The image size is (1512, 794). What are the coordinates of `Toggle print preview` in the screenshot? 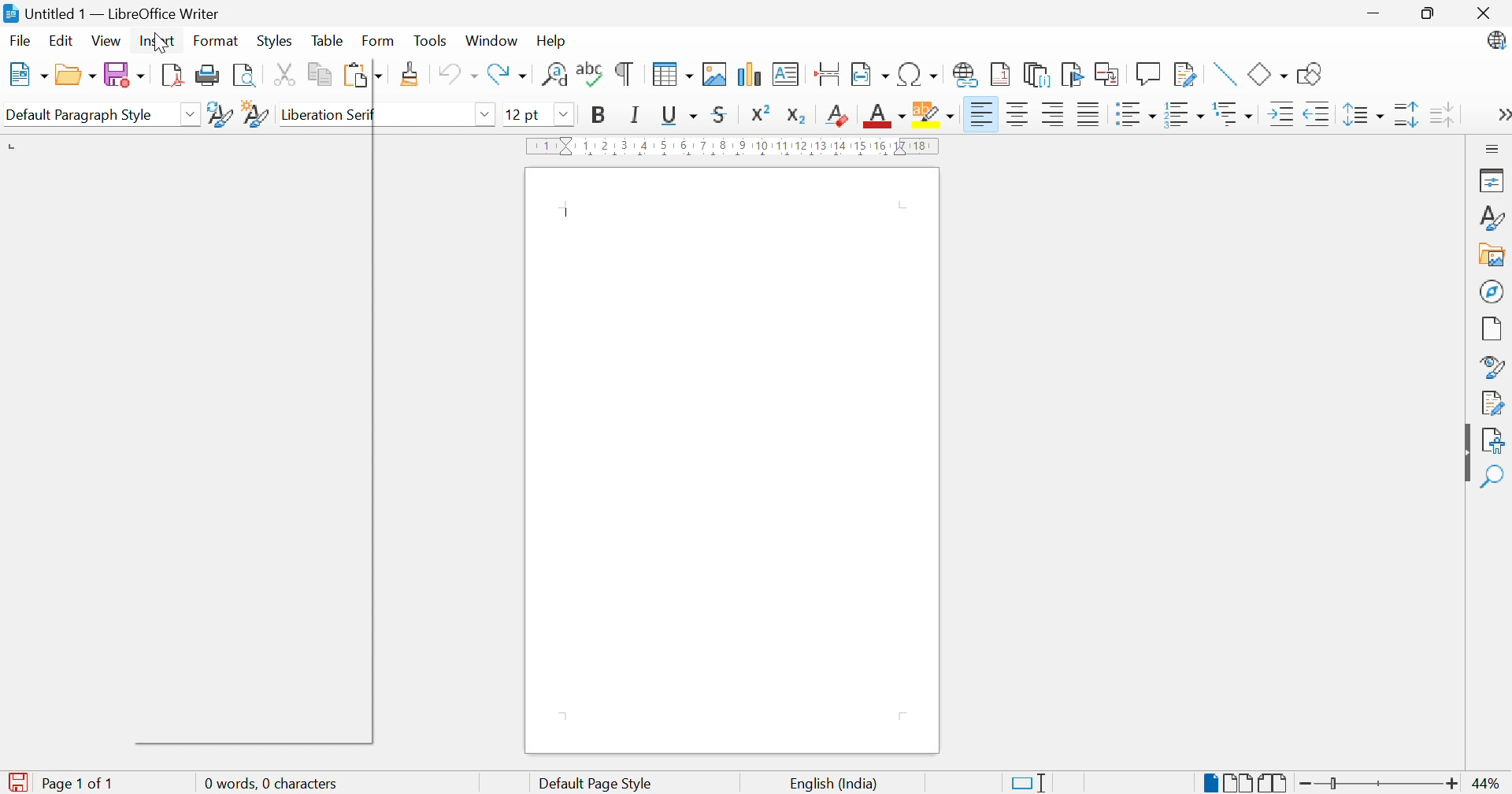 It's located at (248, 75).